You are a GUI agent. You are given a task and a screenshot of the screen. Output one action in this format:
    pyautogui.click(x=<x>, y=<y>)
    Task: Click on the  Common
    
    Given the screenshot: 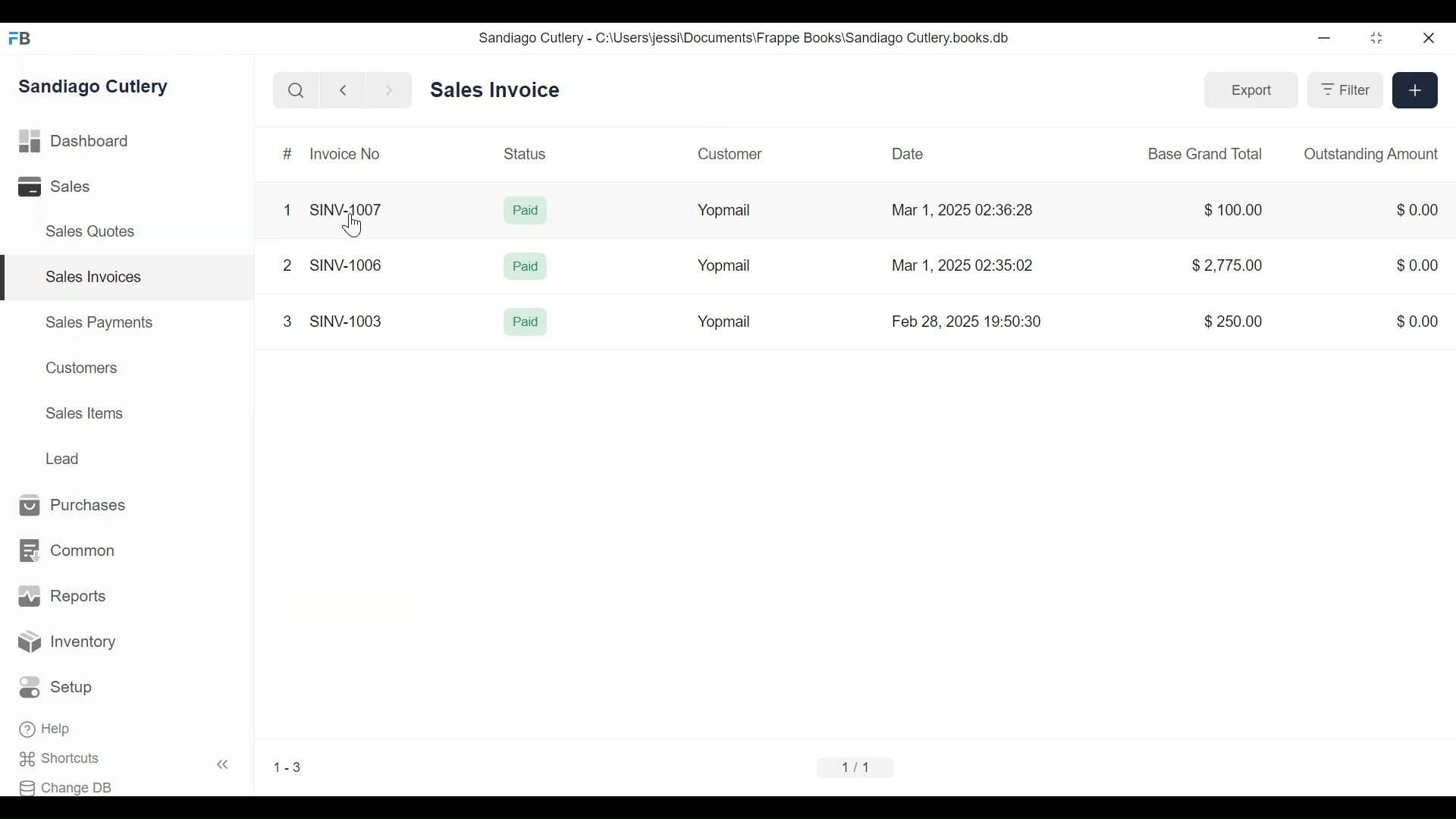 What is the action you would take?
    pyautogui.click(x=69, y=550)
    